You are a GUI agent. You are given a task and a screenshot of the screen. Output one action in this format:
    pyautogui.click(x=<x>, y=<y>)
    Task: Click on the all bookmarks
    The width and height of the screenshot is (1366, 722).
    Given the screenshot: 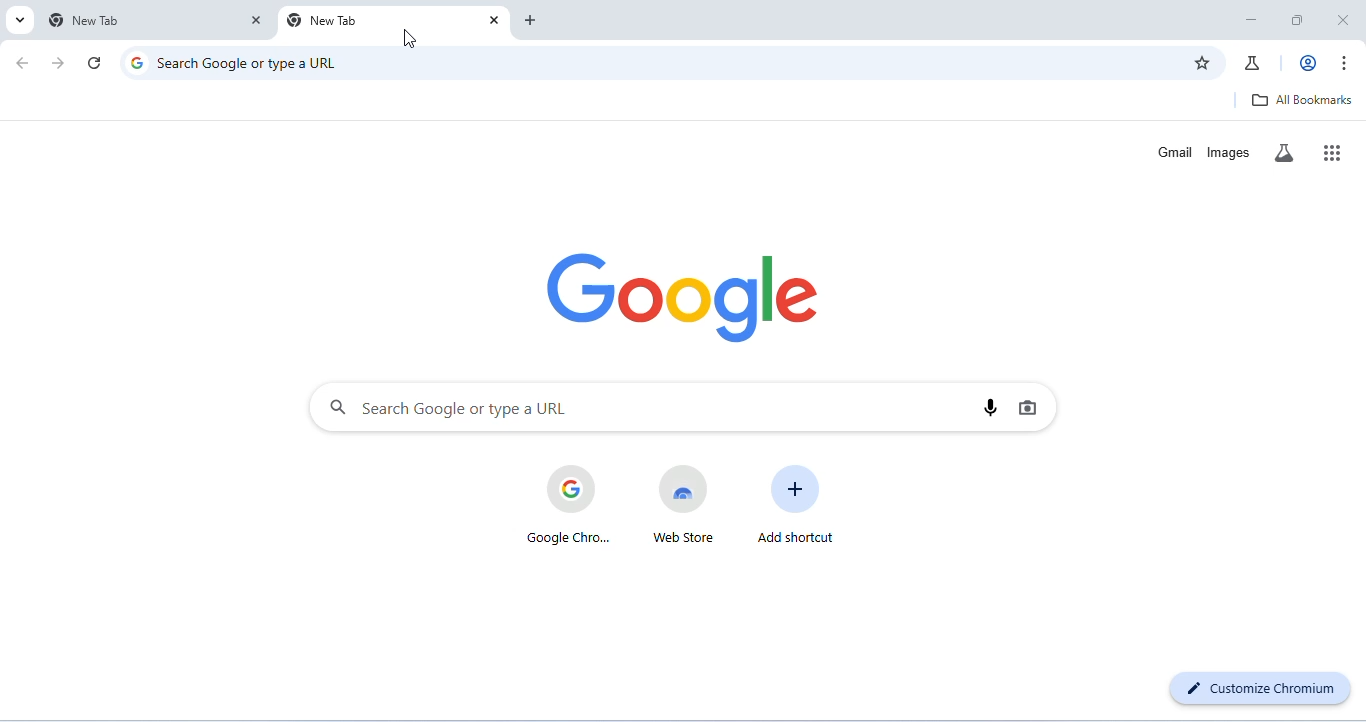 What is the action you would take?
    pyautogui.click(x=1299, y=99)
    